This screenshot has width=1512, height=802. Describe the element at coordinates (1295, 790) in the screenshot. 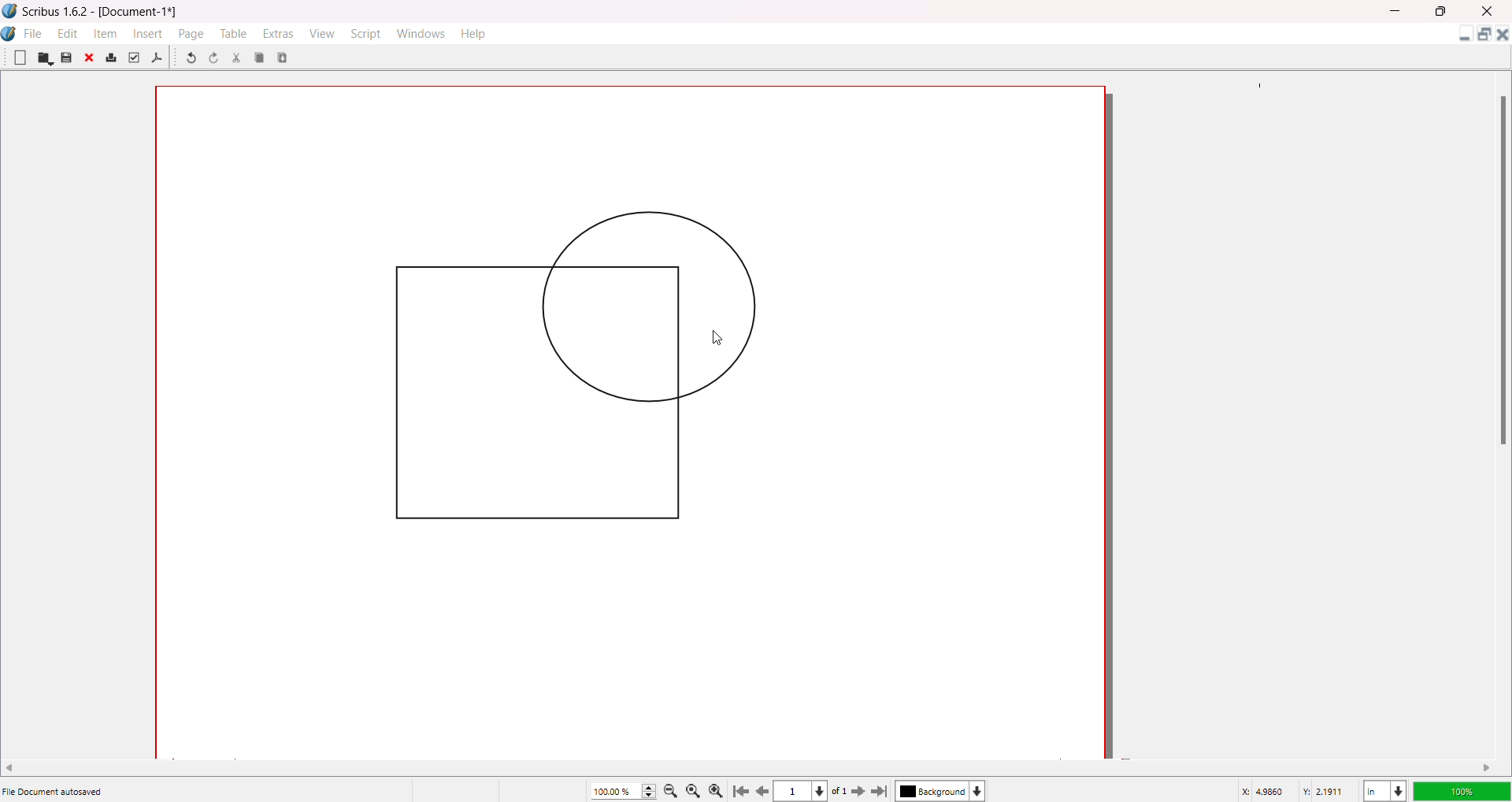

I see `Latitude/Longitude` at that location.